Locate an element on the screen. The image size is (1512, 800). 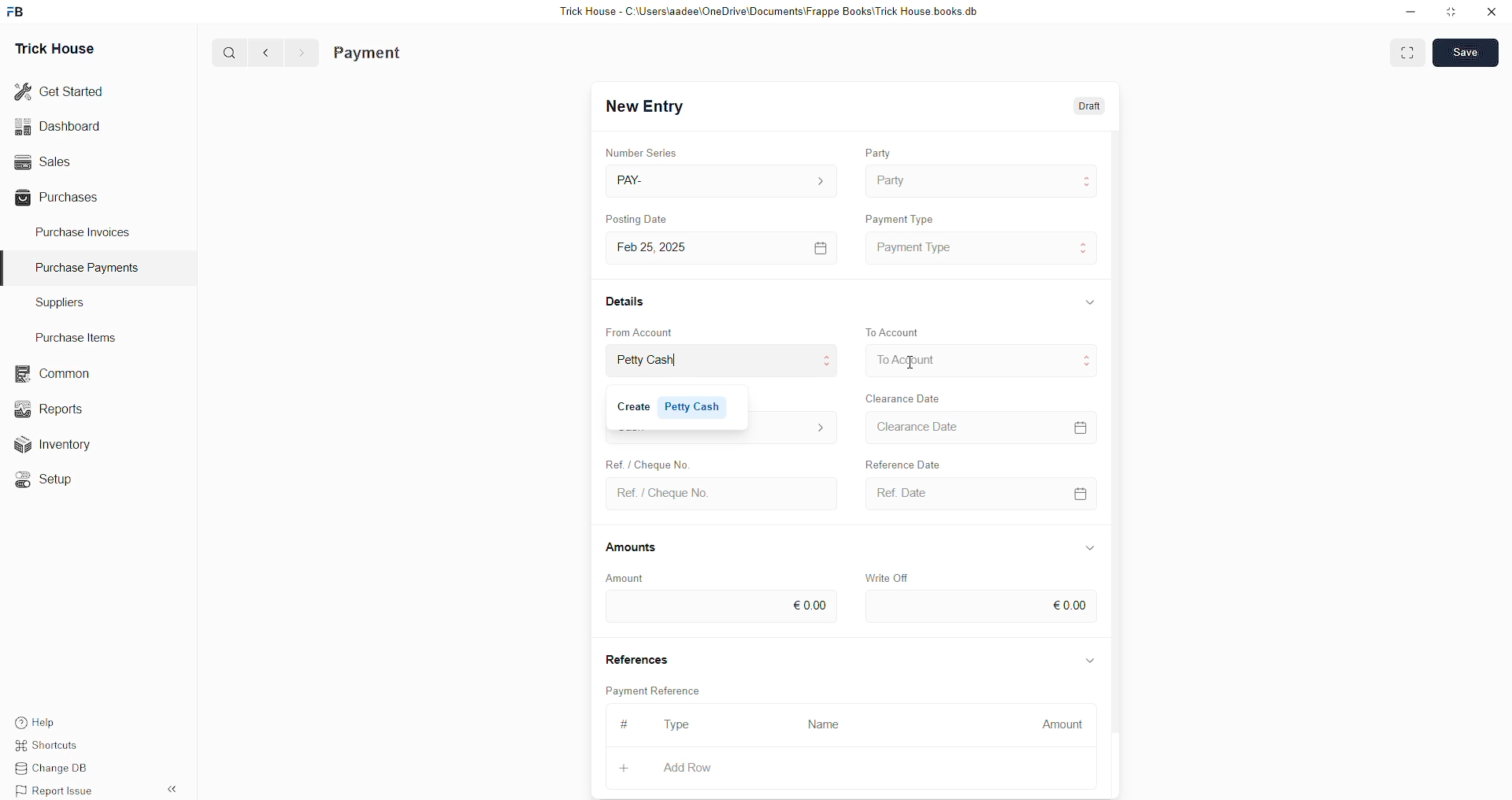
From Account is located at coordinates (645, 331).